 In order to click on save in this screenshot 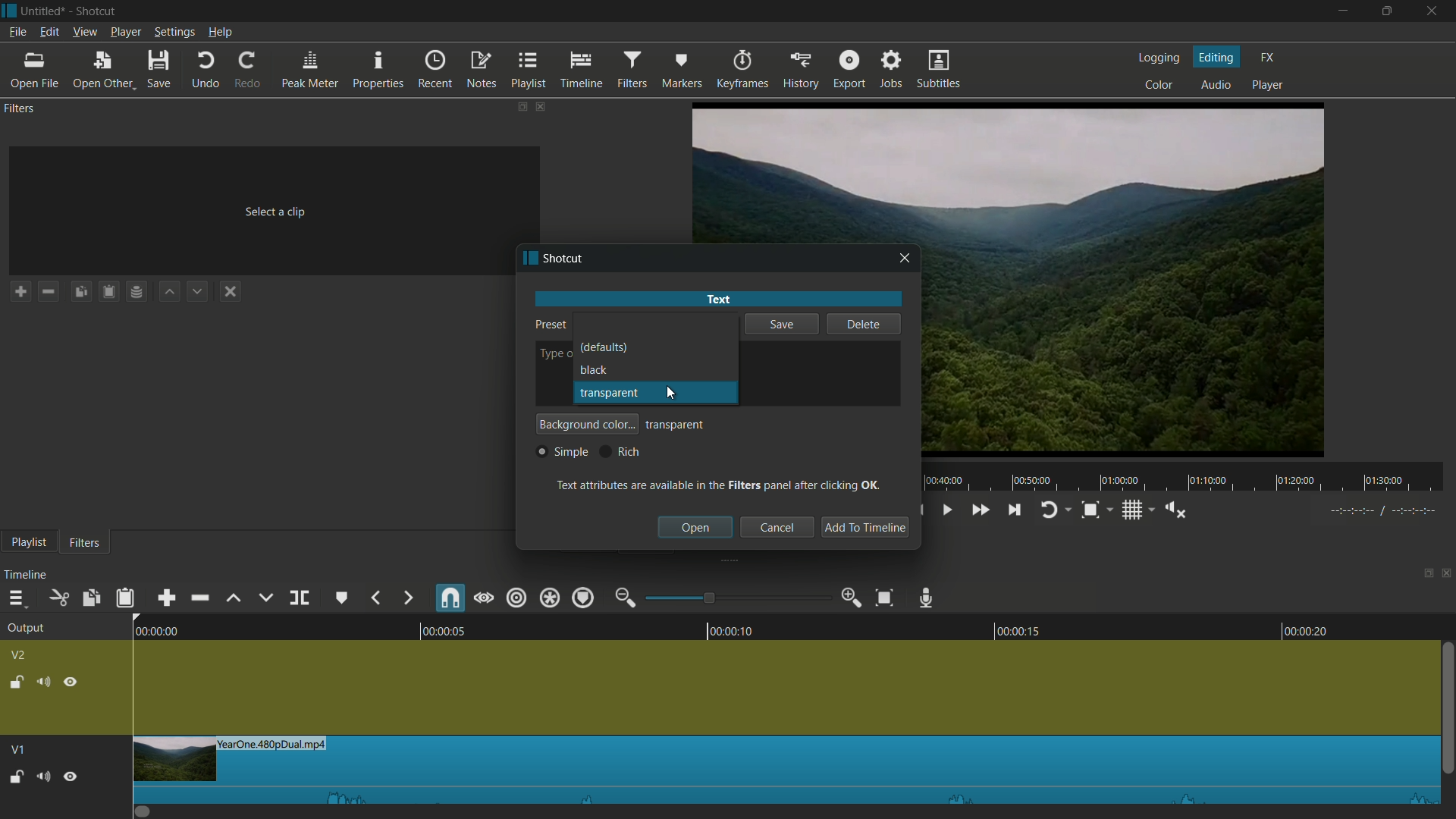, I will do `click(158, 71)`.